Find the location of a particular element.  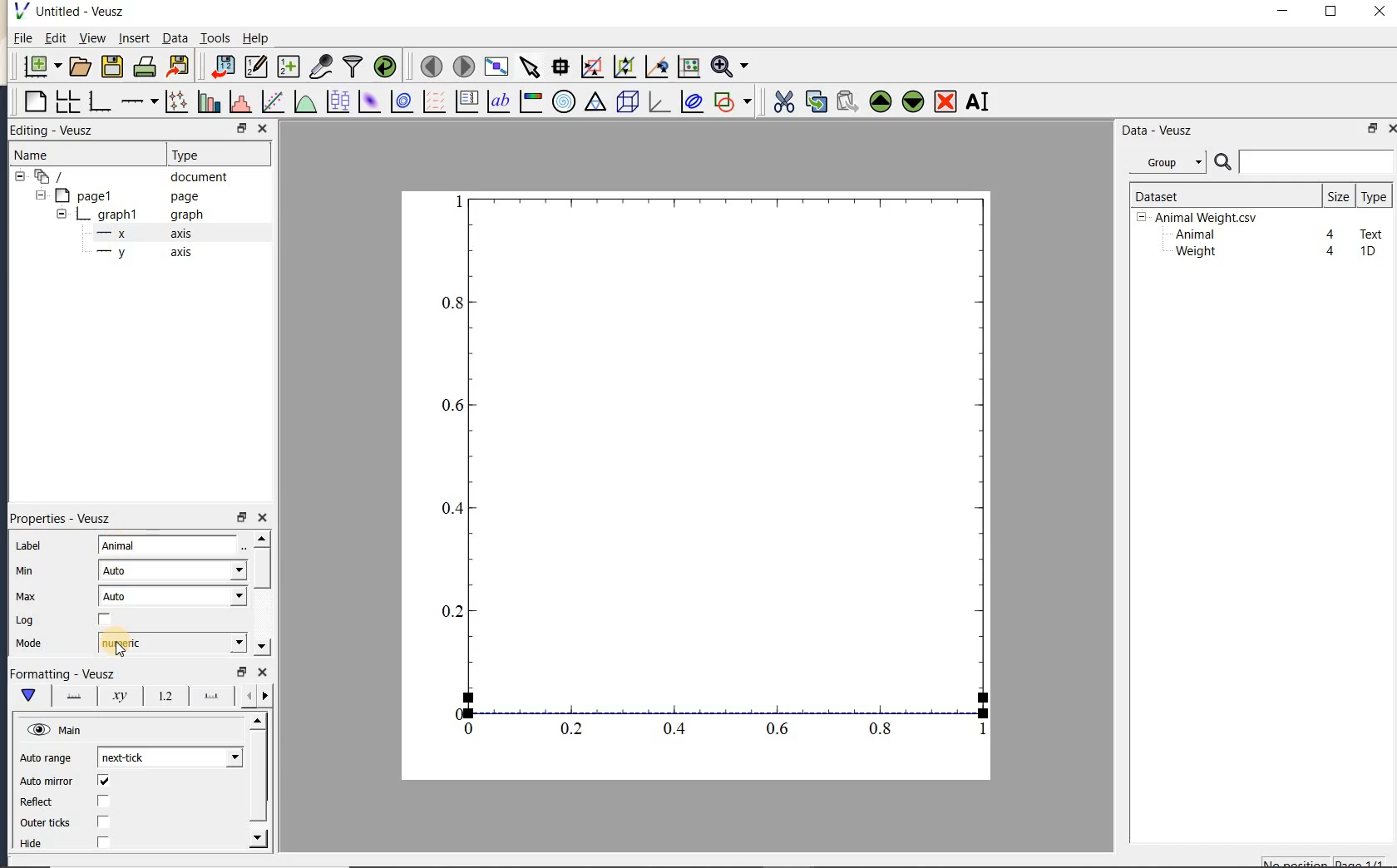

check/uncheck is located at coordinates (105, 620).